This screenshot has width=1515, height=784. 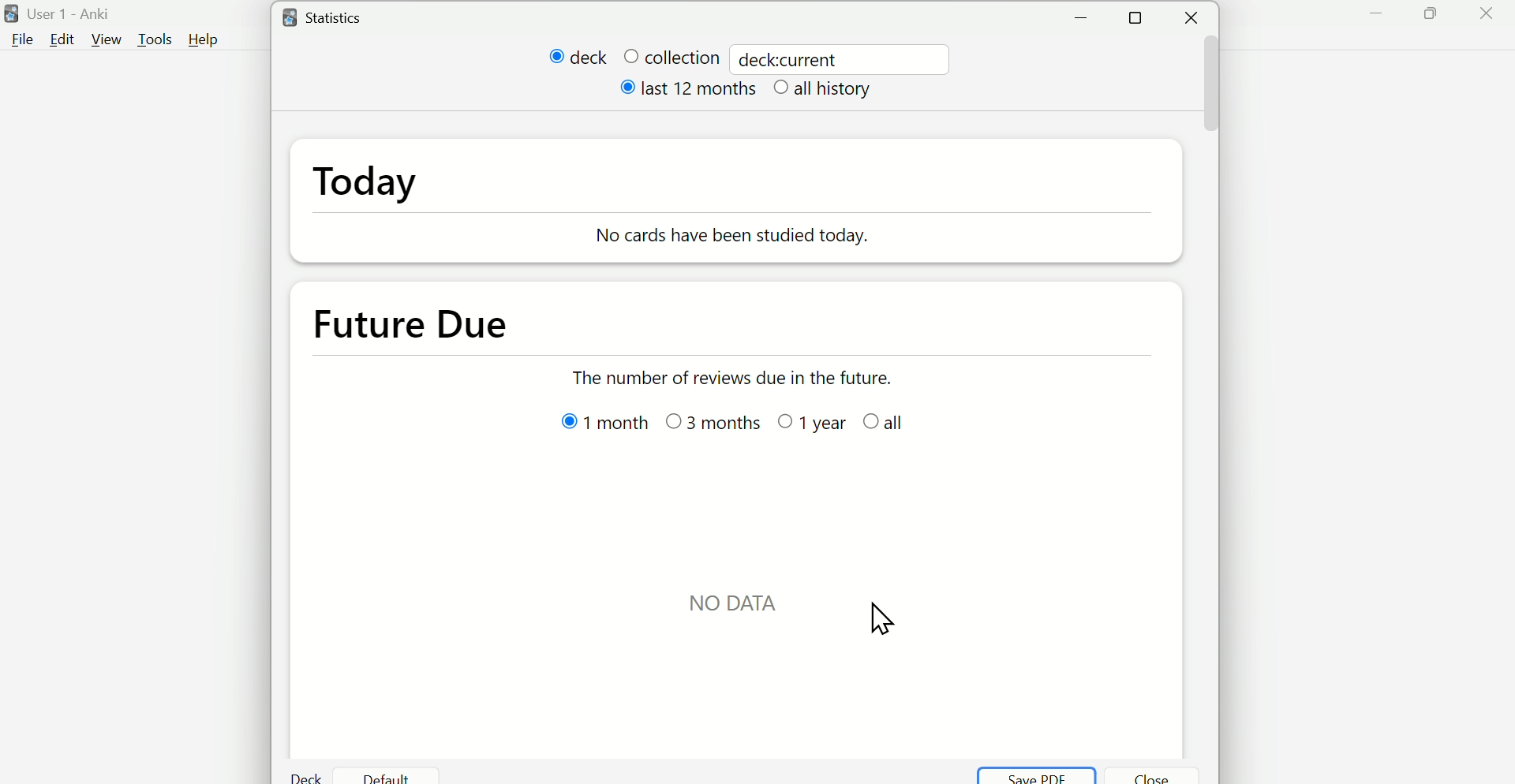 What do you see at coordinates (590, 422) in the screenshot?
I see `1 month` at bounding box center [590, 422].